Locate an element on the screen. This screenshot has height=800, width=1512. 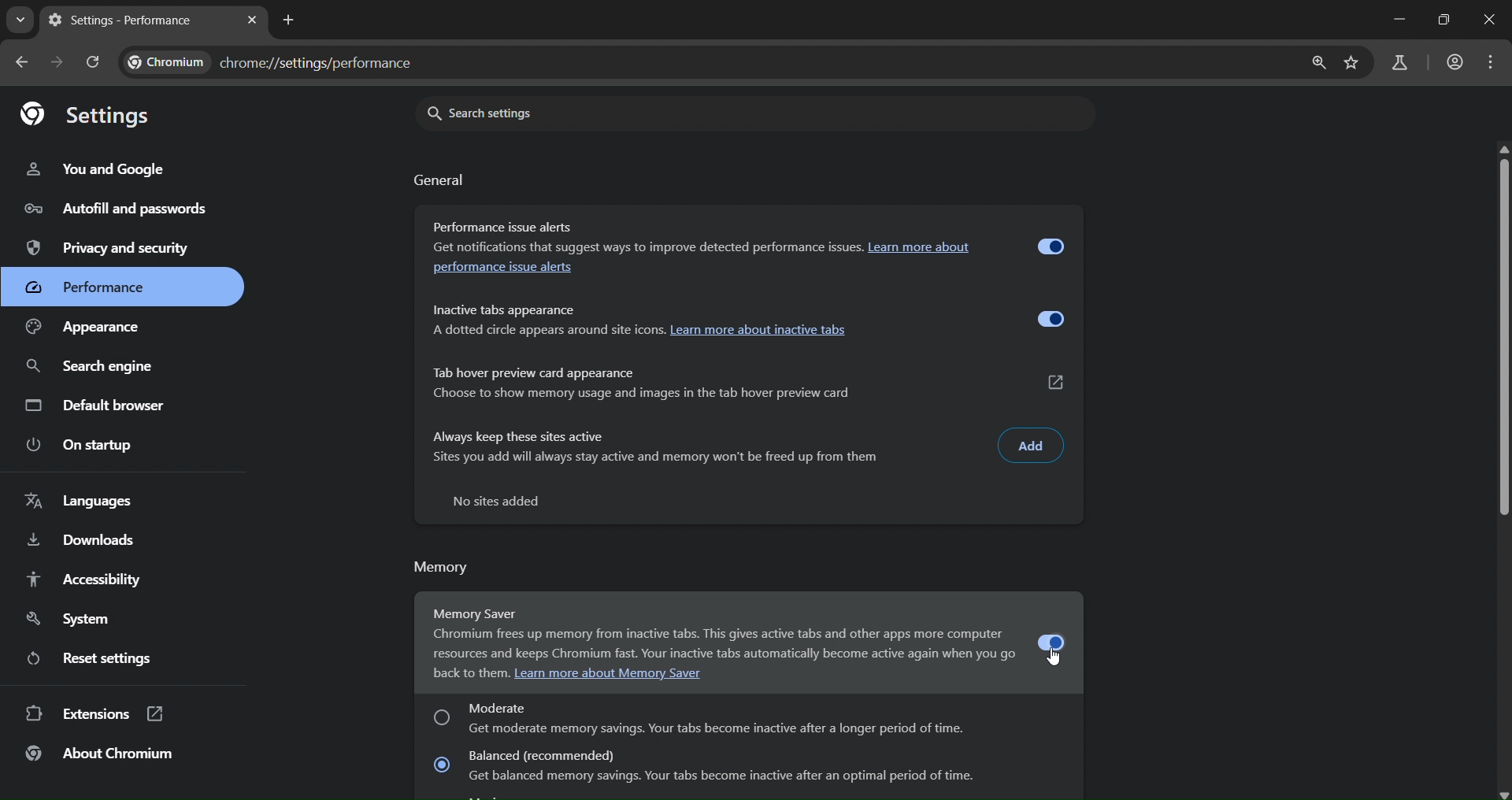
Memory Saver
Chromium frees up memory from inactive tabs. This gives active tabs and other apps more computer
resources and keeps Chromium fast. Your inactive tabs automatically become active again when you go is located at coordinates (727, 632).